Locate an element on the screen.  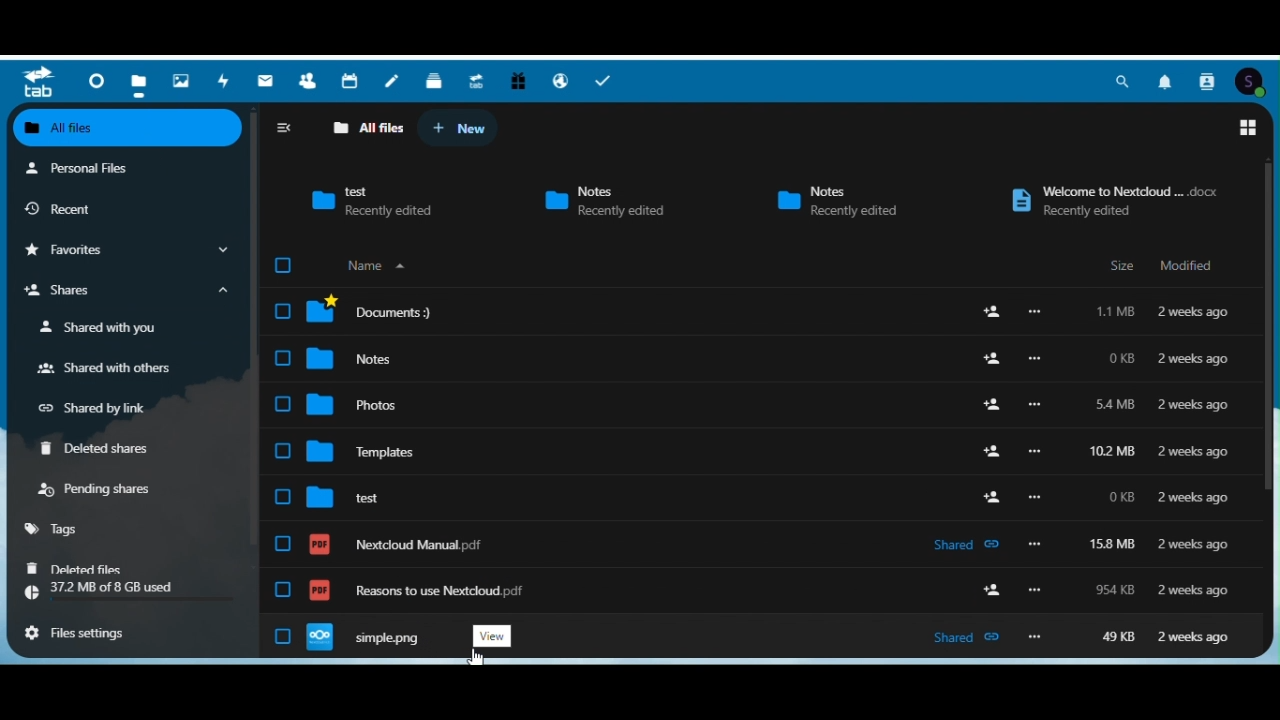
reasons to use nextcloud.pdf is located at coordinates (417, 590).